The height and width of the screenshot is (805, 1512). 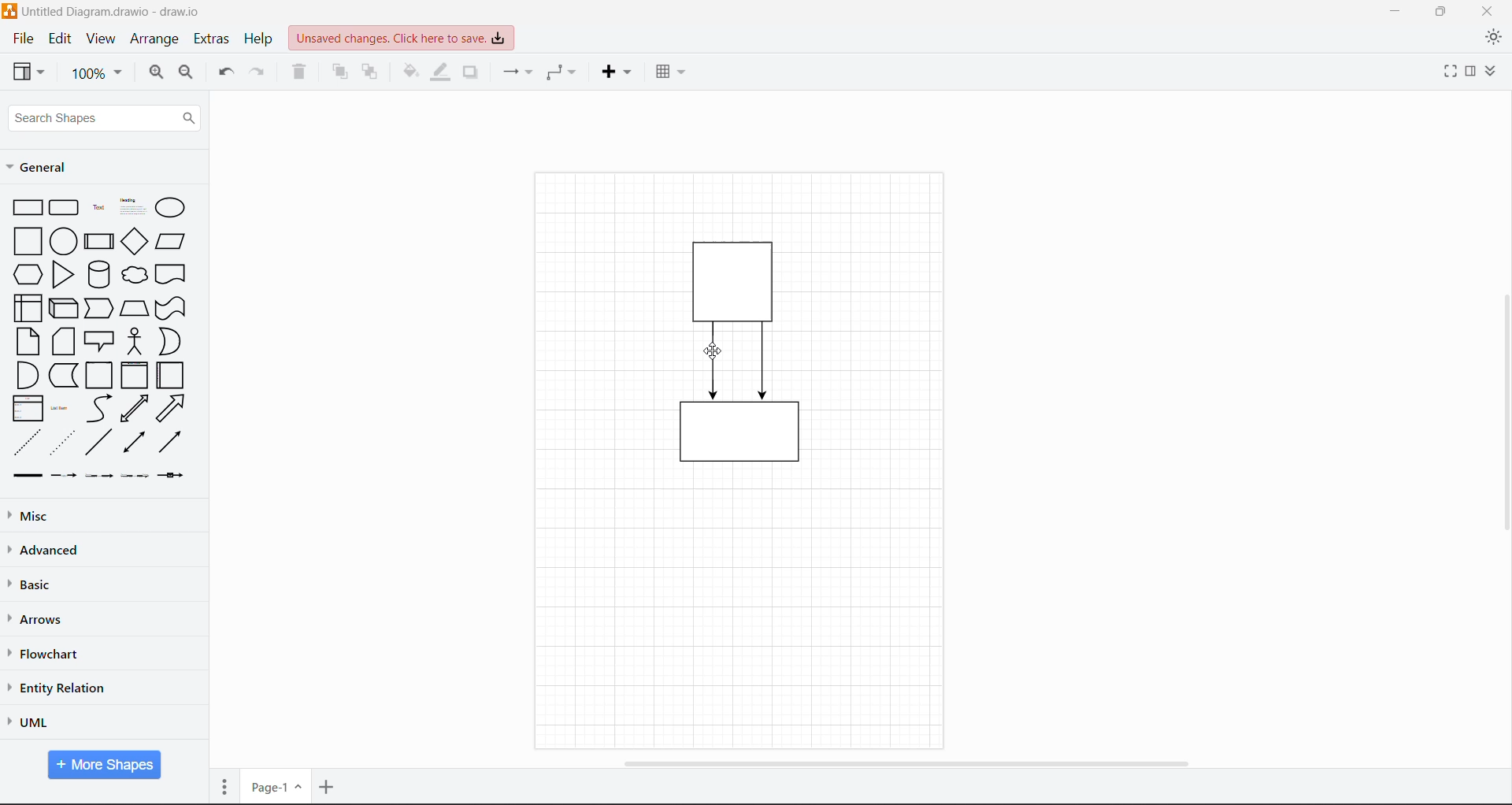 I want to click on Trapezoid, so click(x=134, y=306).